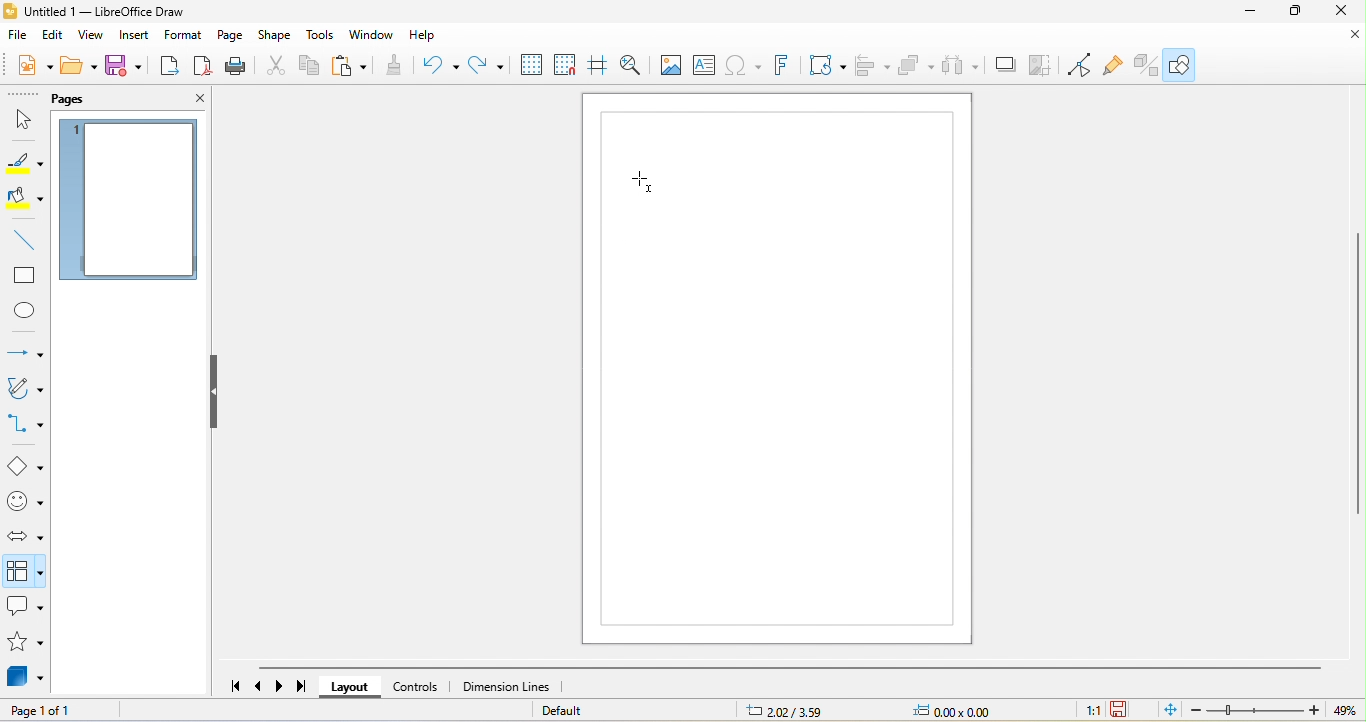 This screenshot has width=1366, height=722. I want to click on show gluepoint function, so click(1116, 65).